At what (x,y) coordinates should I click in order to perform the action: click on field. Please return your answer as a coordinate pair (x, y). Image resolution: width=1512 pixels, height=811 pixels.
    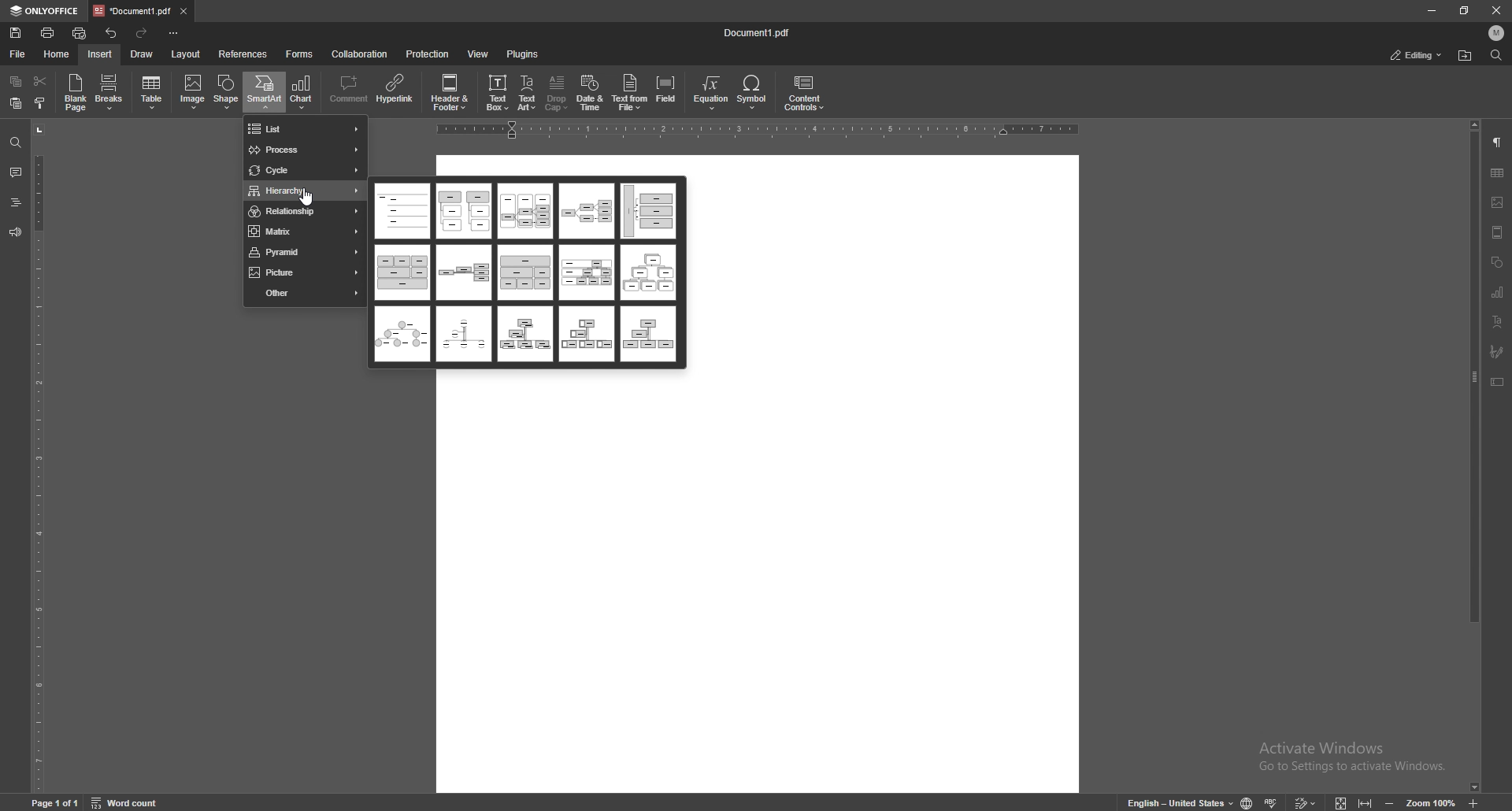
    Looking at the image, I should click on (667, 91).